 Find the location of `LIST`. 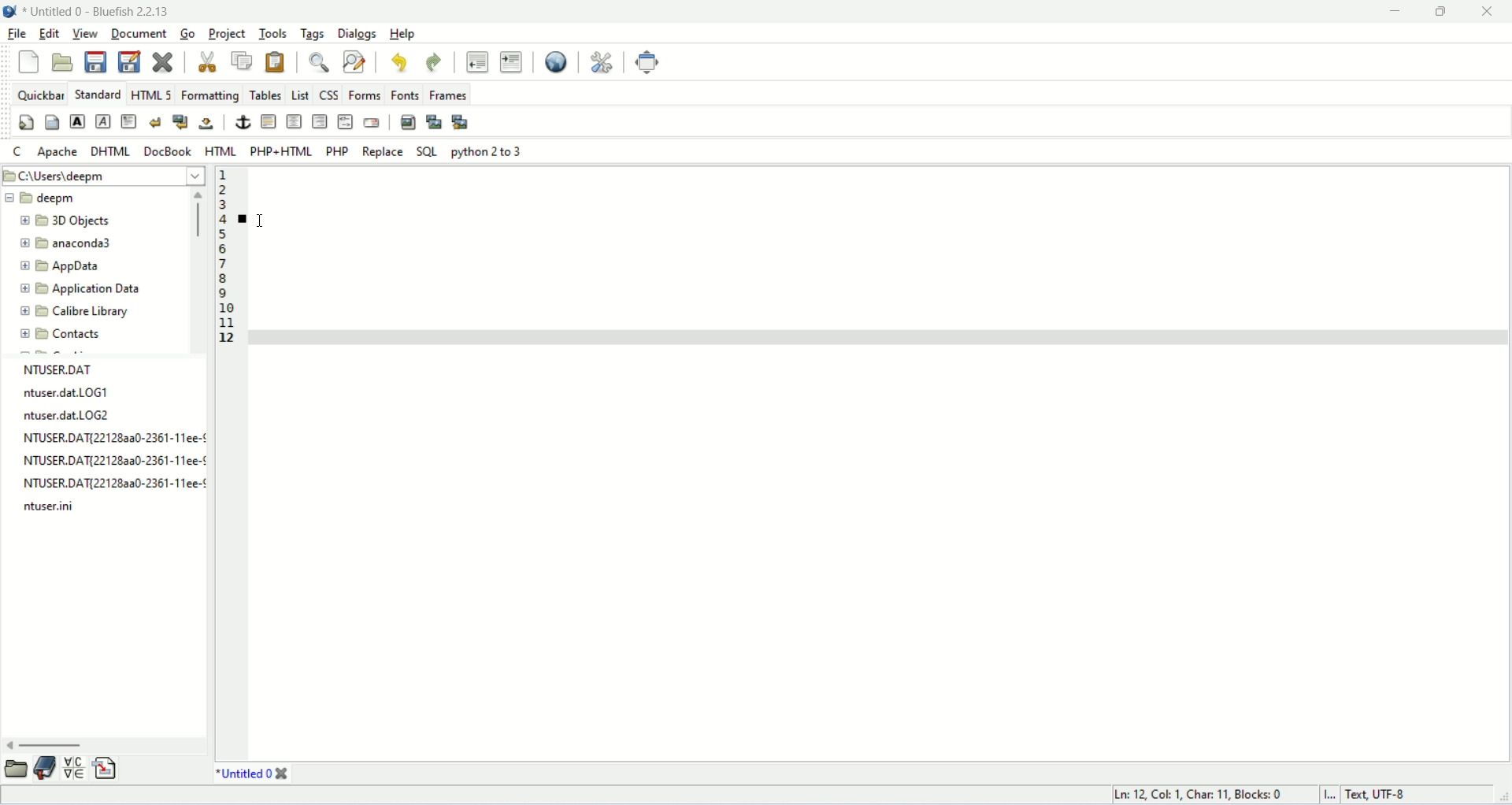

LIST is located at coordinates (302, 95).